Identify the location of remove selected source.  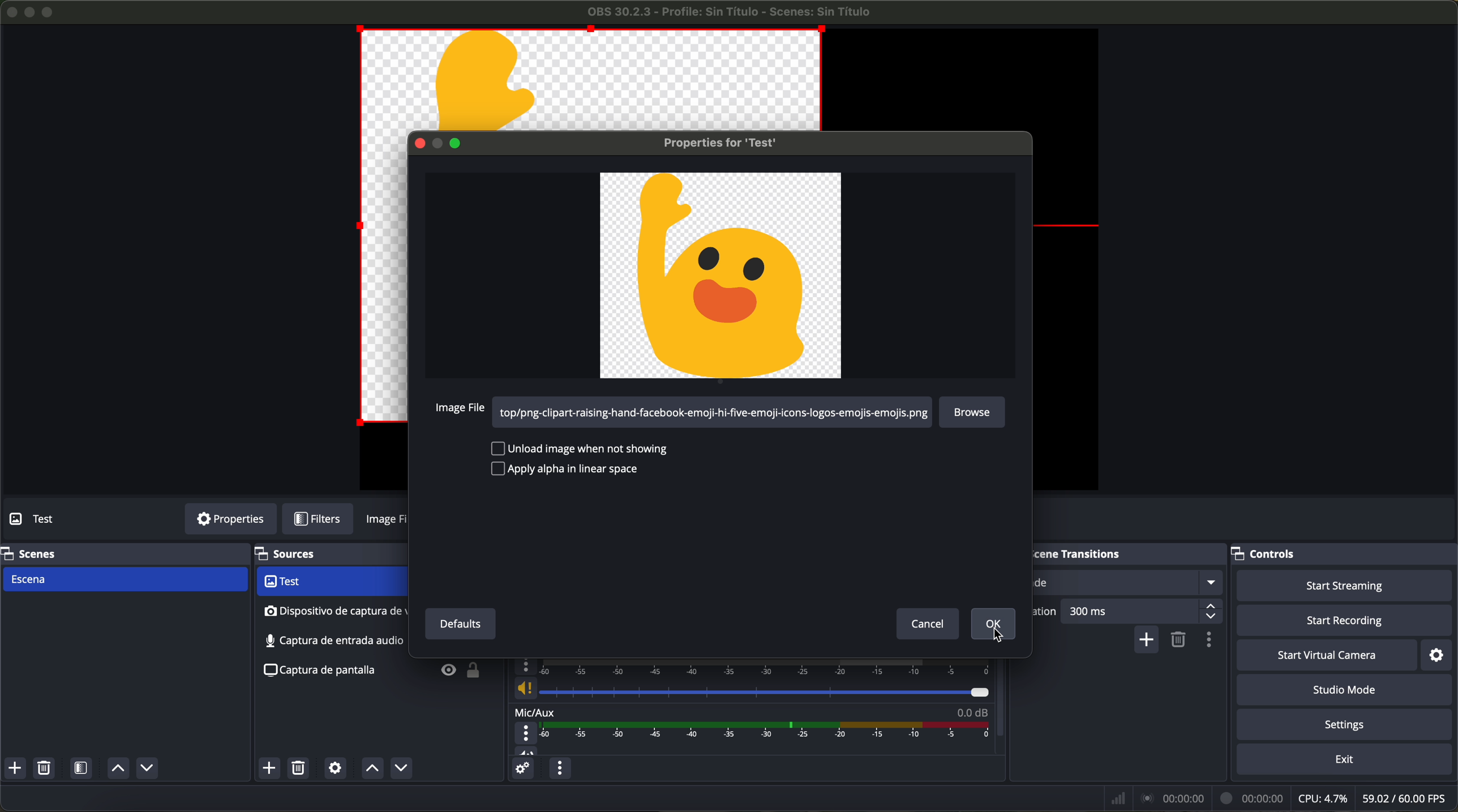
(301, 768).